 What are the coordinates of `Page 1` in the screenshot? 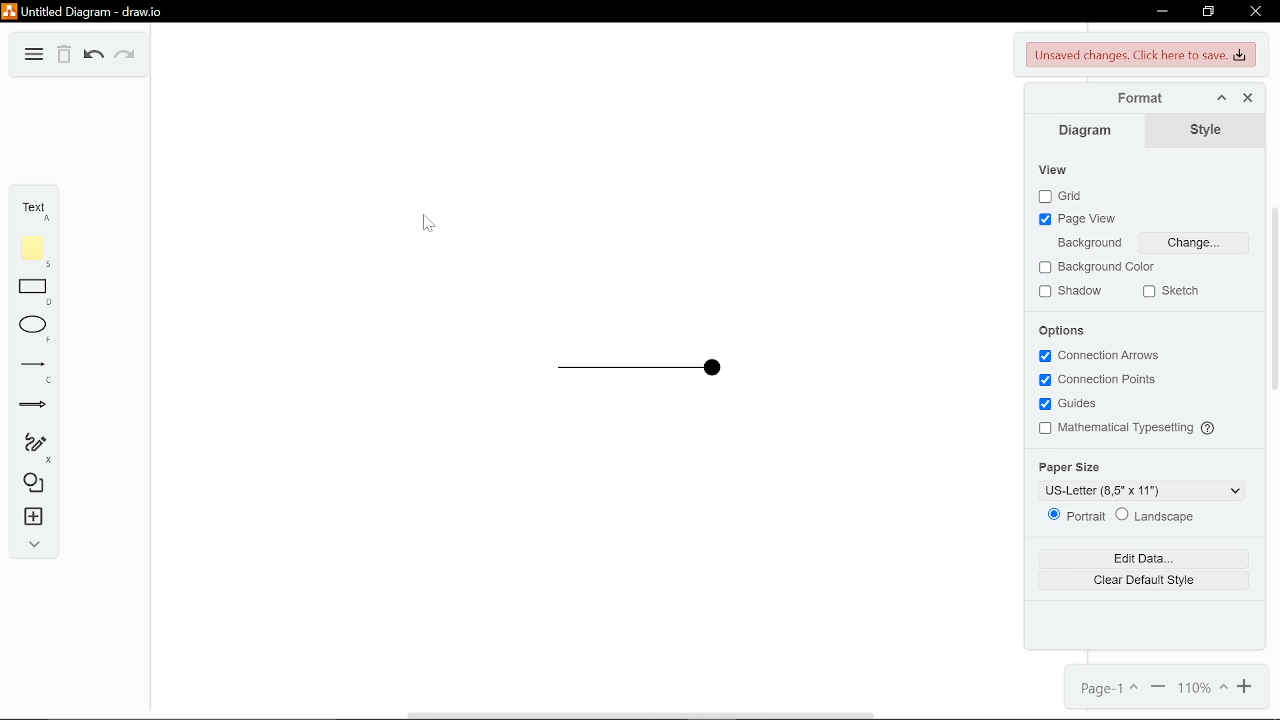 It's located at (1109, 689).